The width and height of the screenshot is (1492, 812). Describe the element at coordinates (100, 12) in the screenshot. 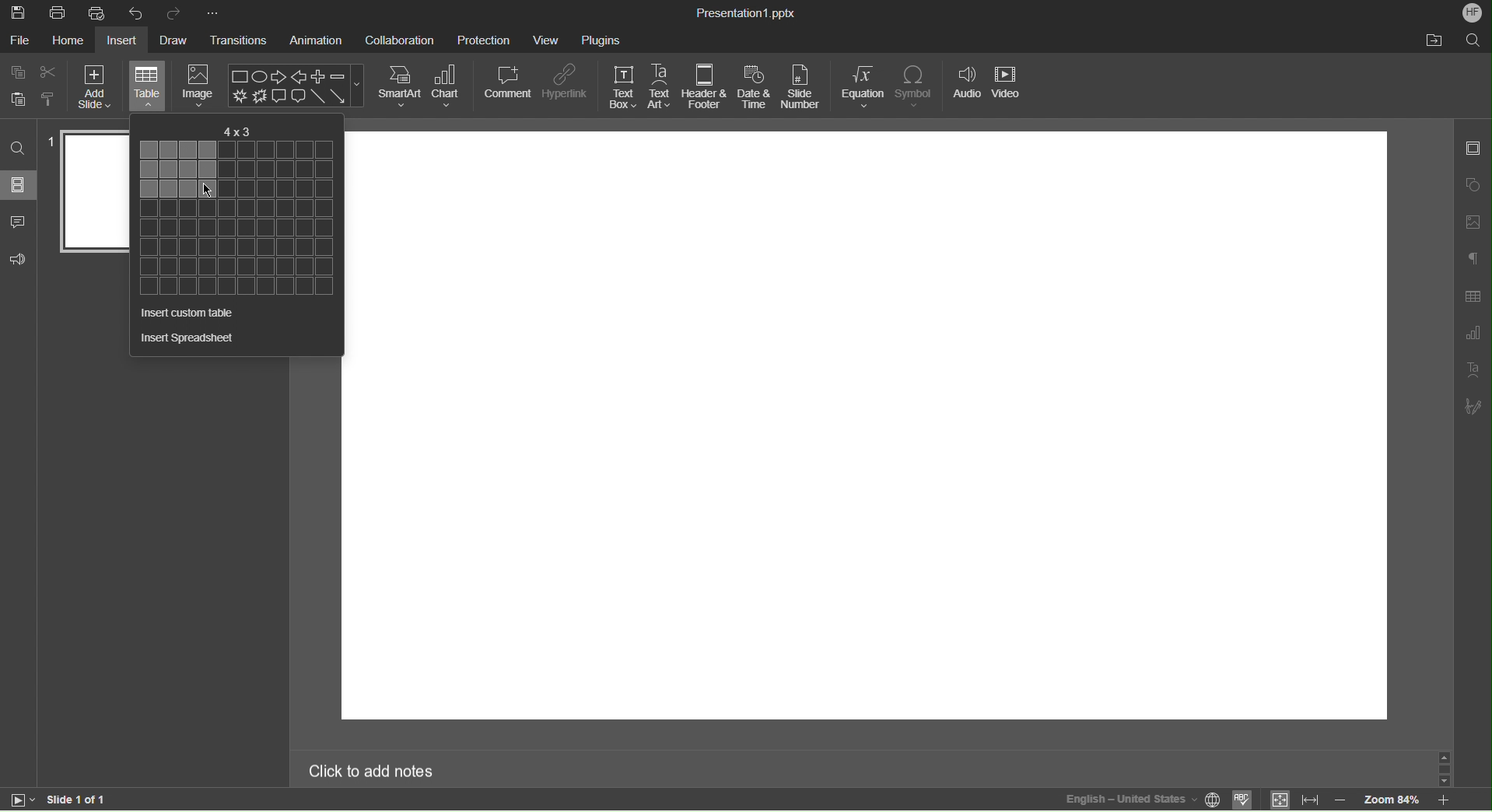

I see `Quick Print` at that location.